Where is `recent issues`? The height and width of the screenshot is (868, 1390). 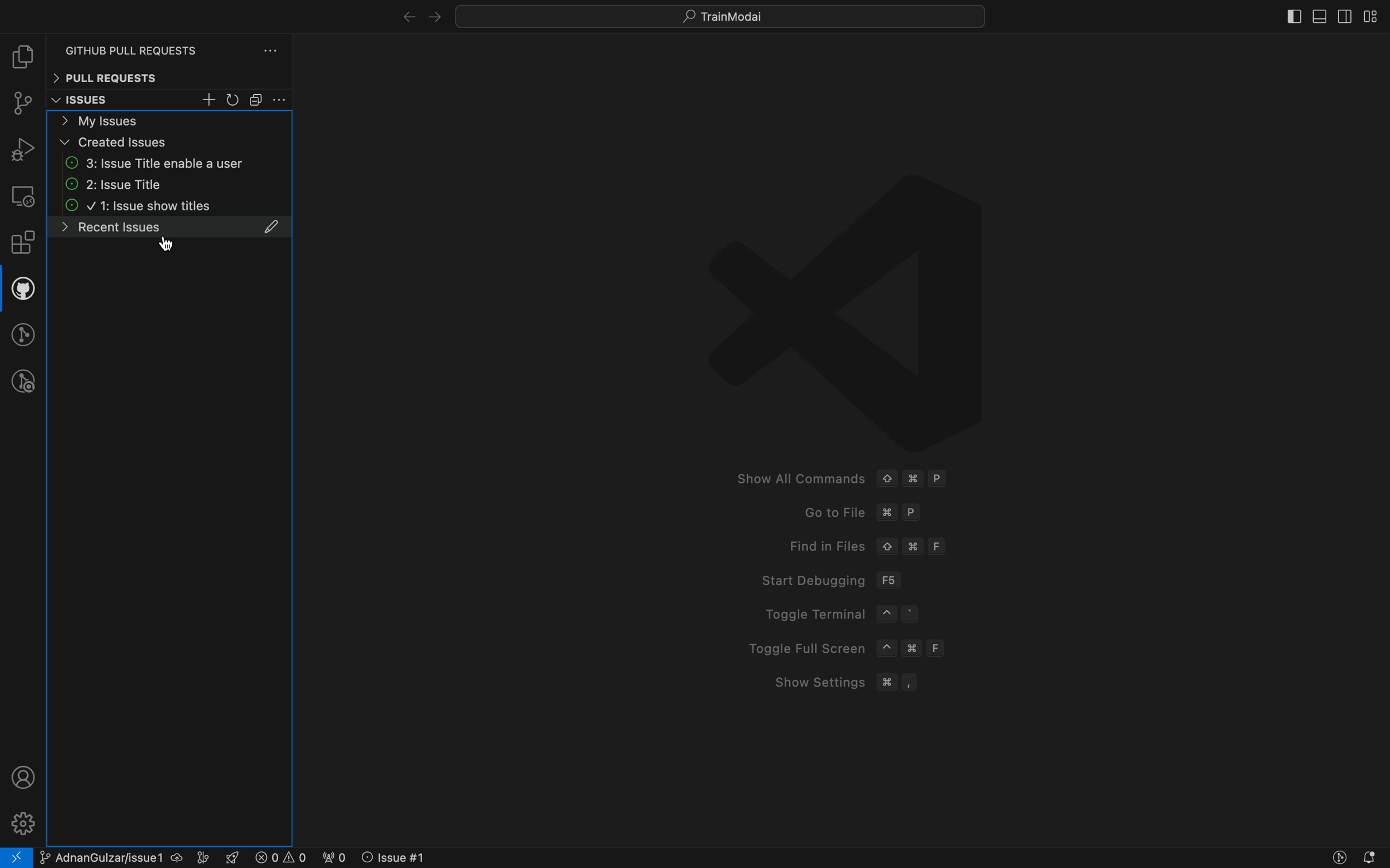
recent issues is located at coordinates (169, 163).